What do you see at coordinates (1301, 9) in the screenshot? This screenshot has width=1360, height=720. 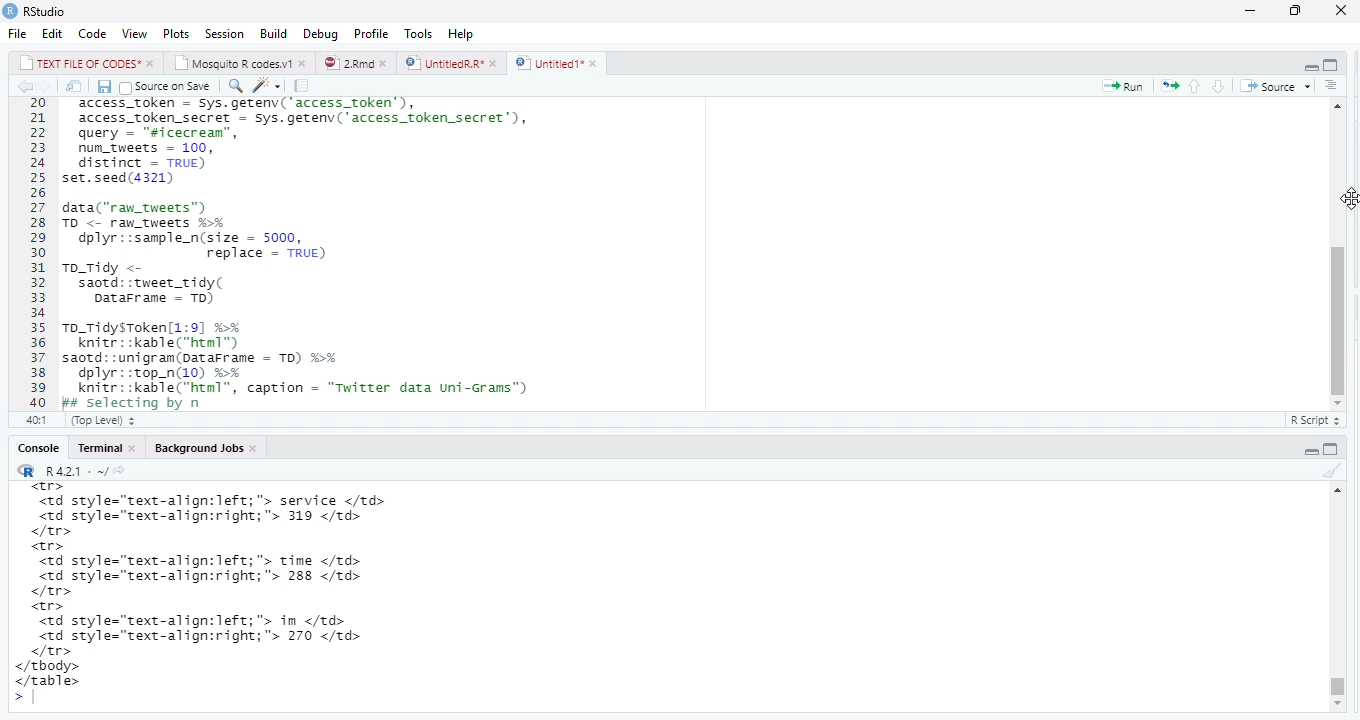 I see `maximize` at bounding box center [1301, 9].